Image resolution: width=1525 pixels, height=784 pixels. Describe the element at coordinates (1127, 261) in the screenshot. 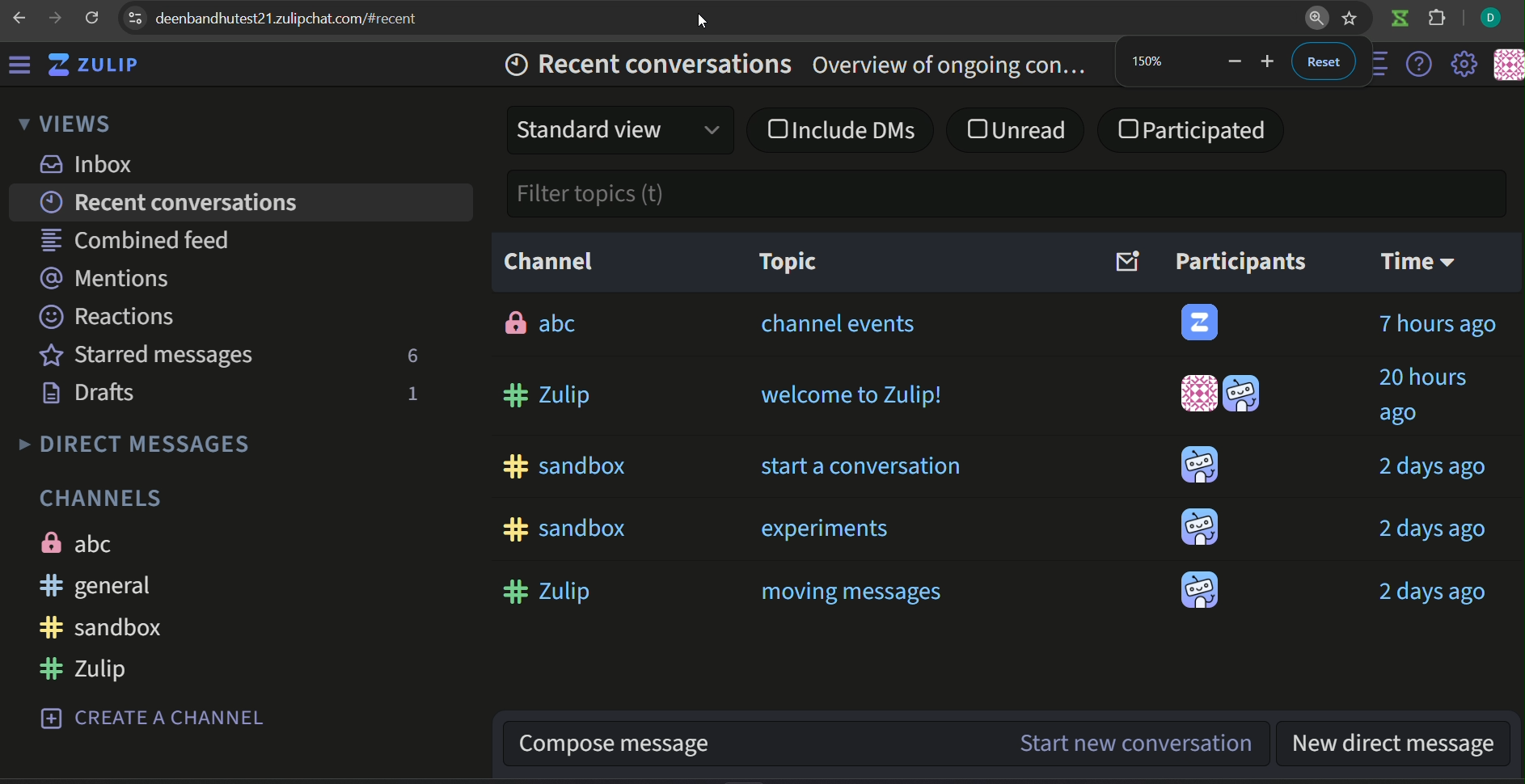

I see `email` at that location.